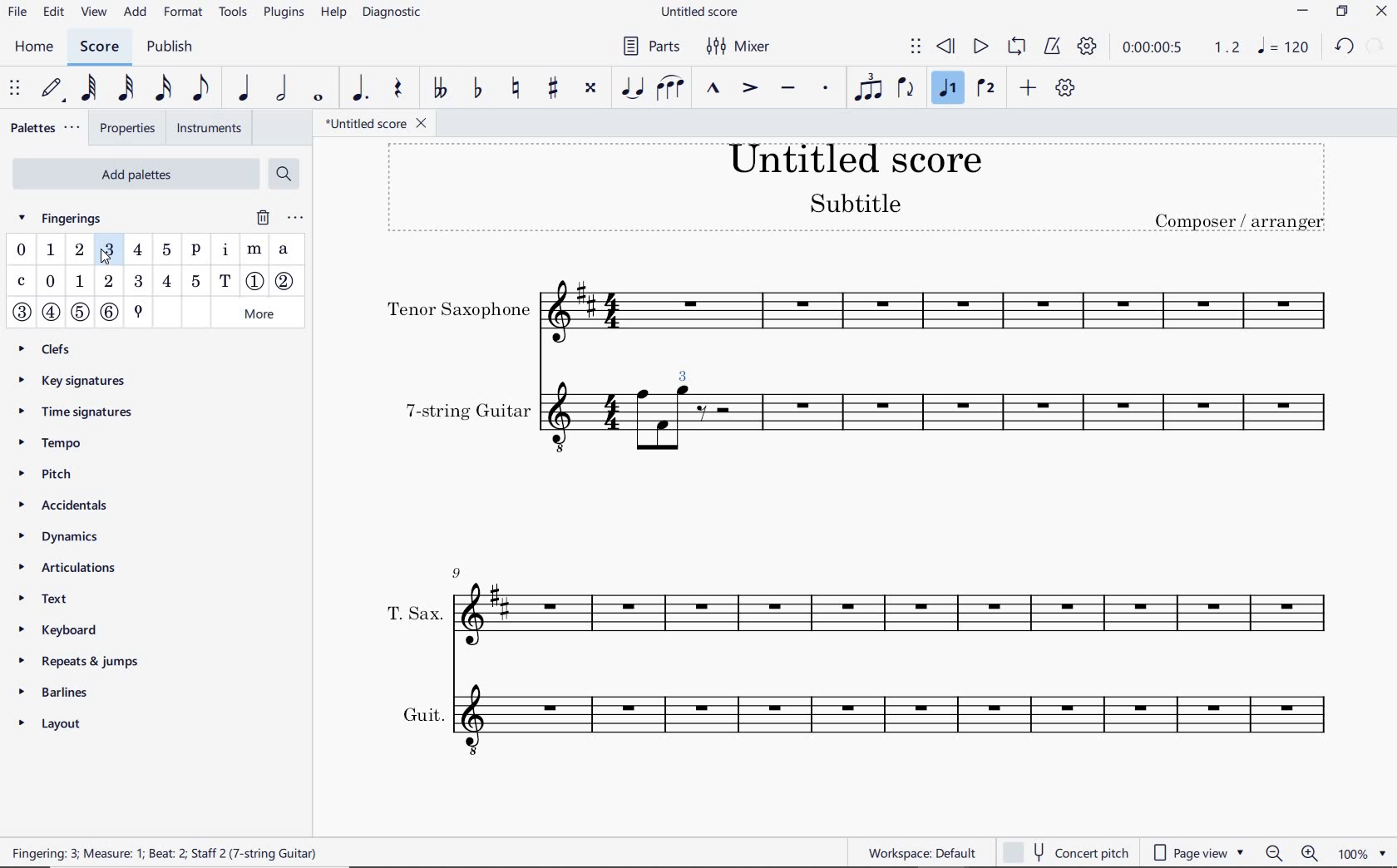 The height and width of the screenshot is (868, 1397). I want to click on TOGGLE SHARP, so click(553, 87).